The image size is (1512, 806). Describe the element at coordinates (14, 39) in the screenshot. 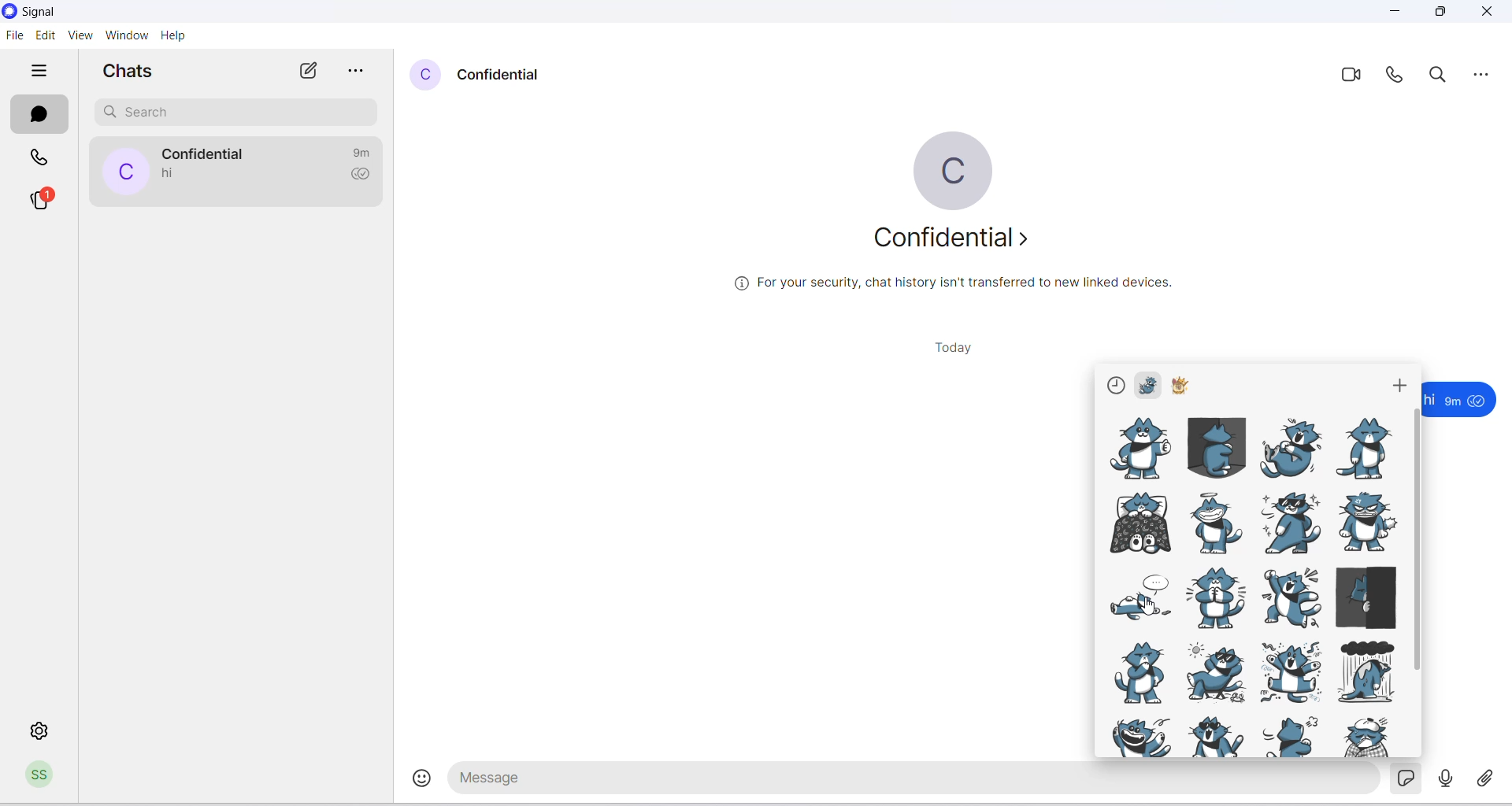

I see `file` at that location.